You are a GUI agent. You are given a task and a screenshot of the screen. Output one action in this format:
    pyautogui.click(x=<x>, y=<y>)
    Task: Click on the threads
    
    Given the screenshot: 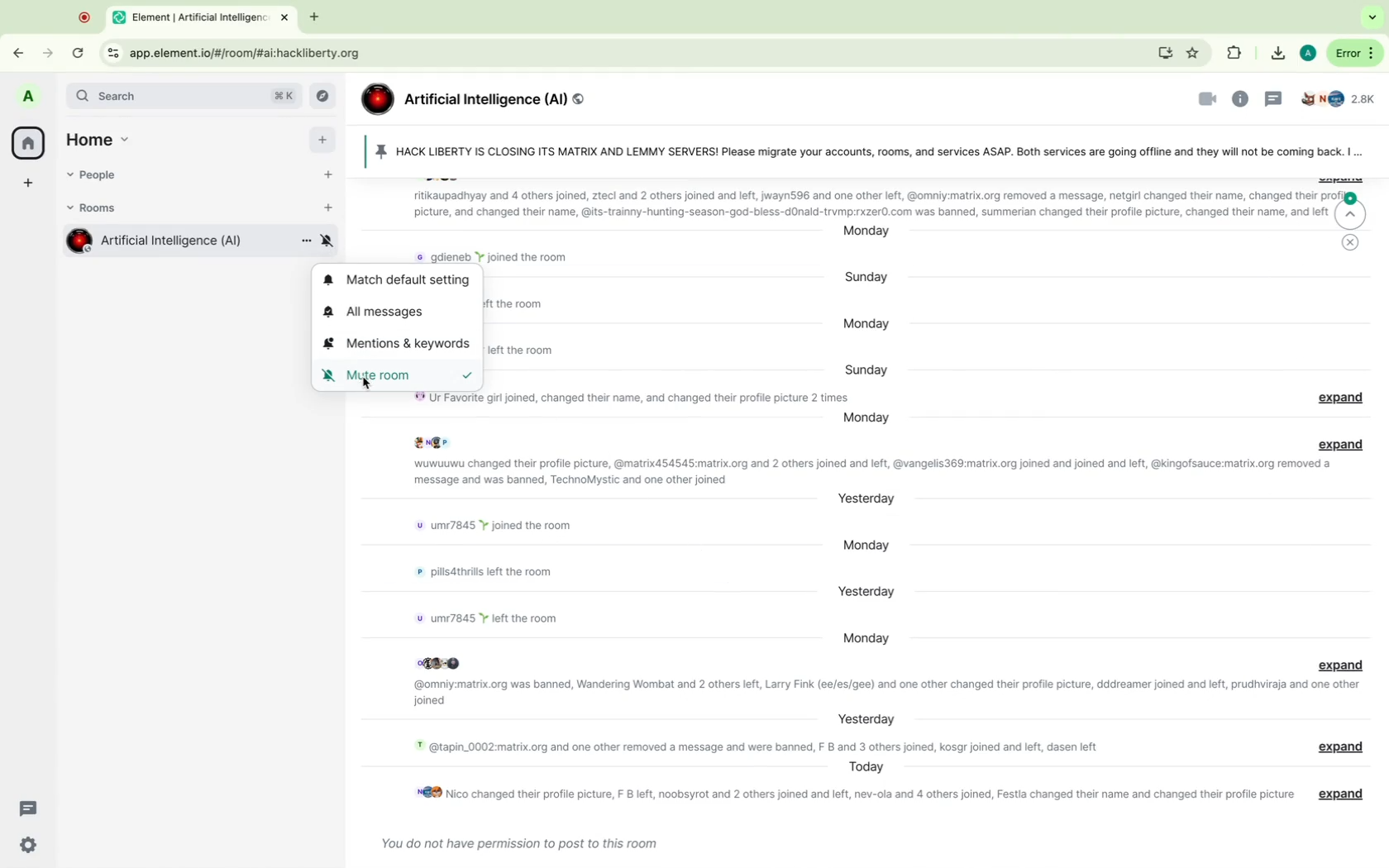 What is the action you would take?
    pyautogui.click(x=27, y=807)
    